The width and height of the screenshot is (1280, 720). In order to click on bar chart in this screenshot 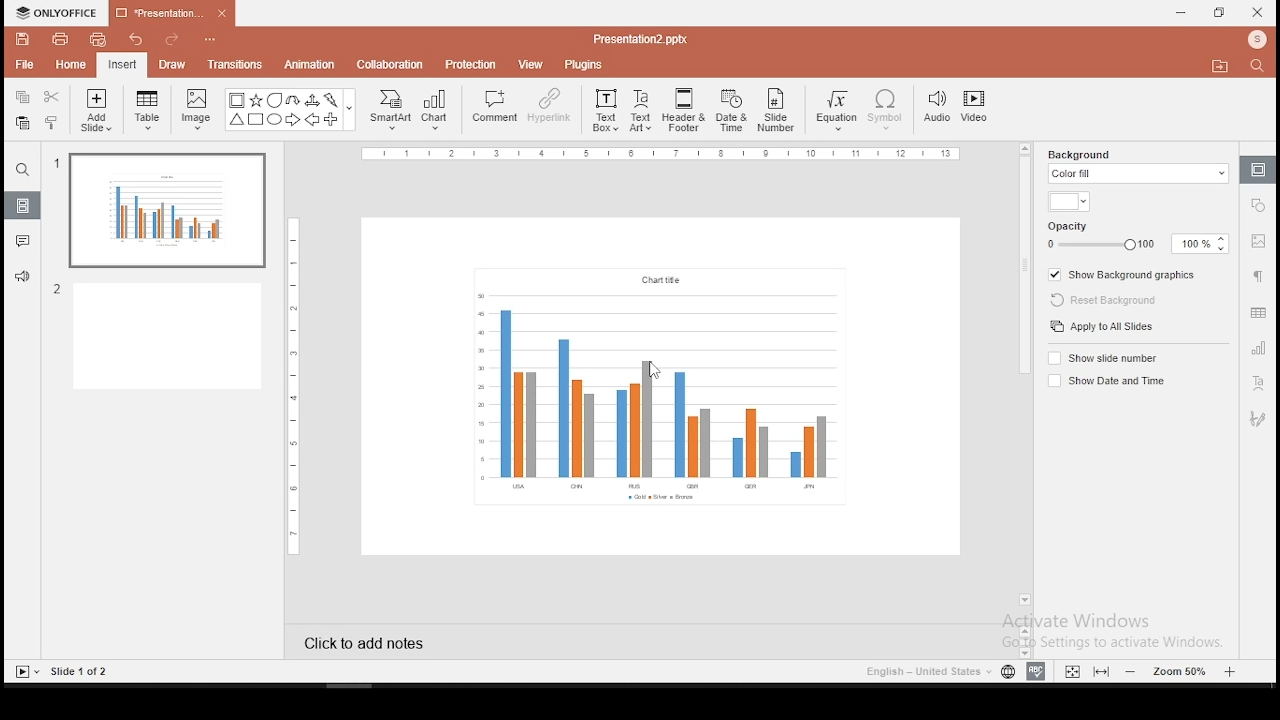, I will do `click(658, 386)`.